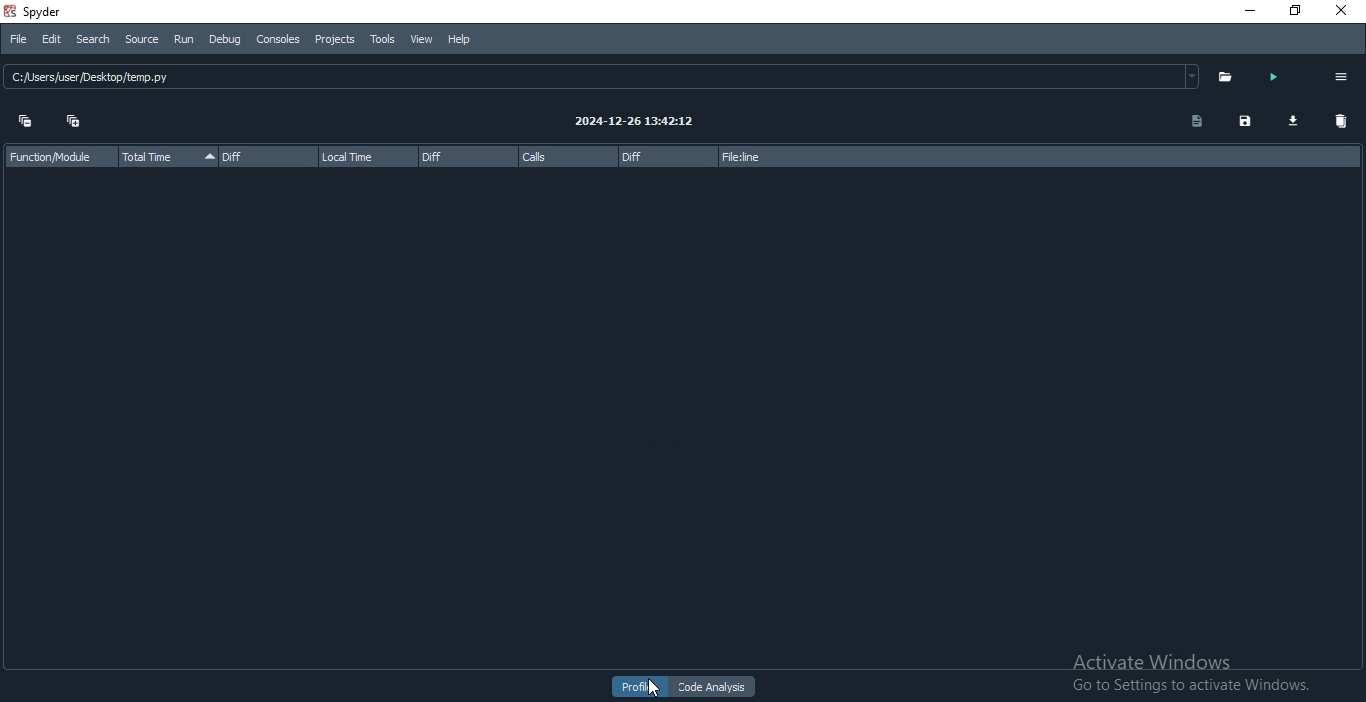  I want to click on Spyder, so click(73, 12).